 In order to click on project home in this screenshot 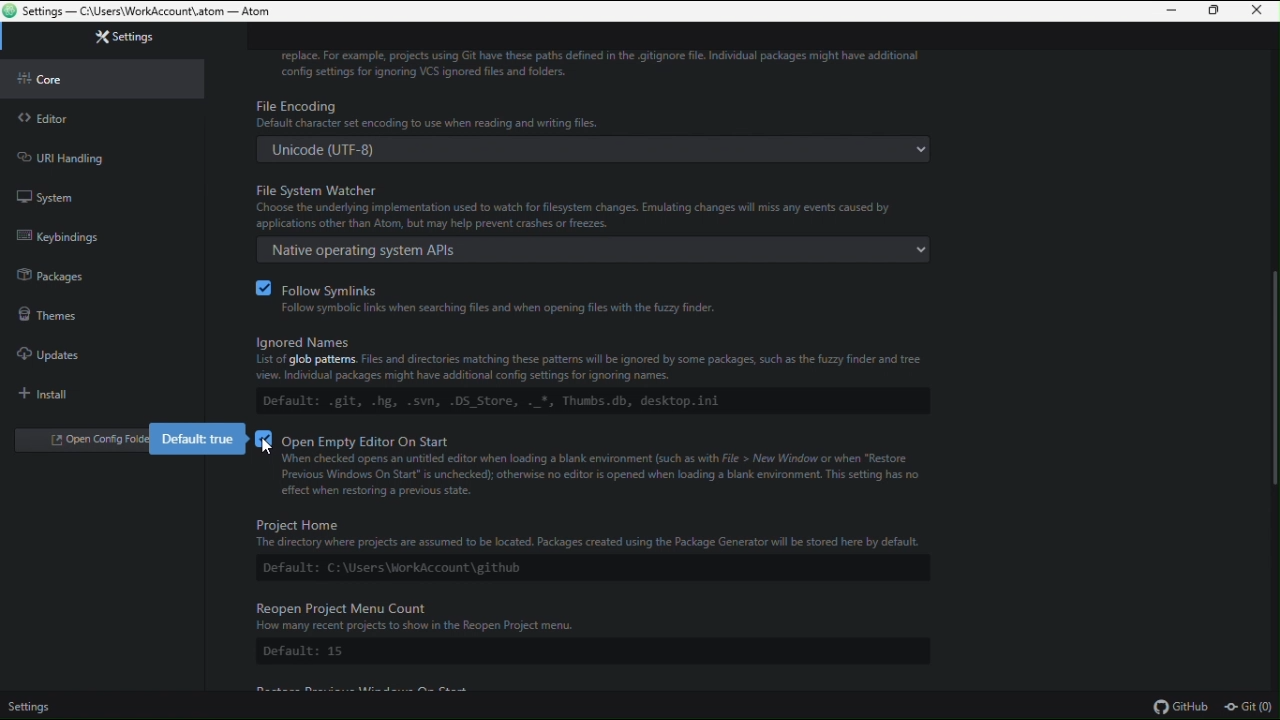, I will do `click(596, 533)`.